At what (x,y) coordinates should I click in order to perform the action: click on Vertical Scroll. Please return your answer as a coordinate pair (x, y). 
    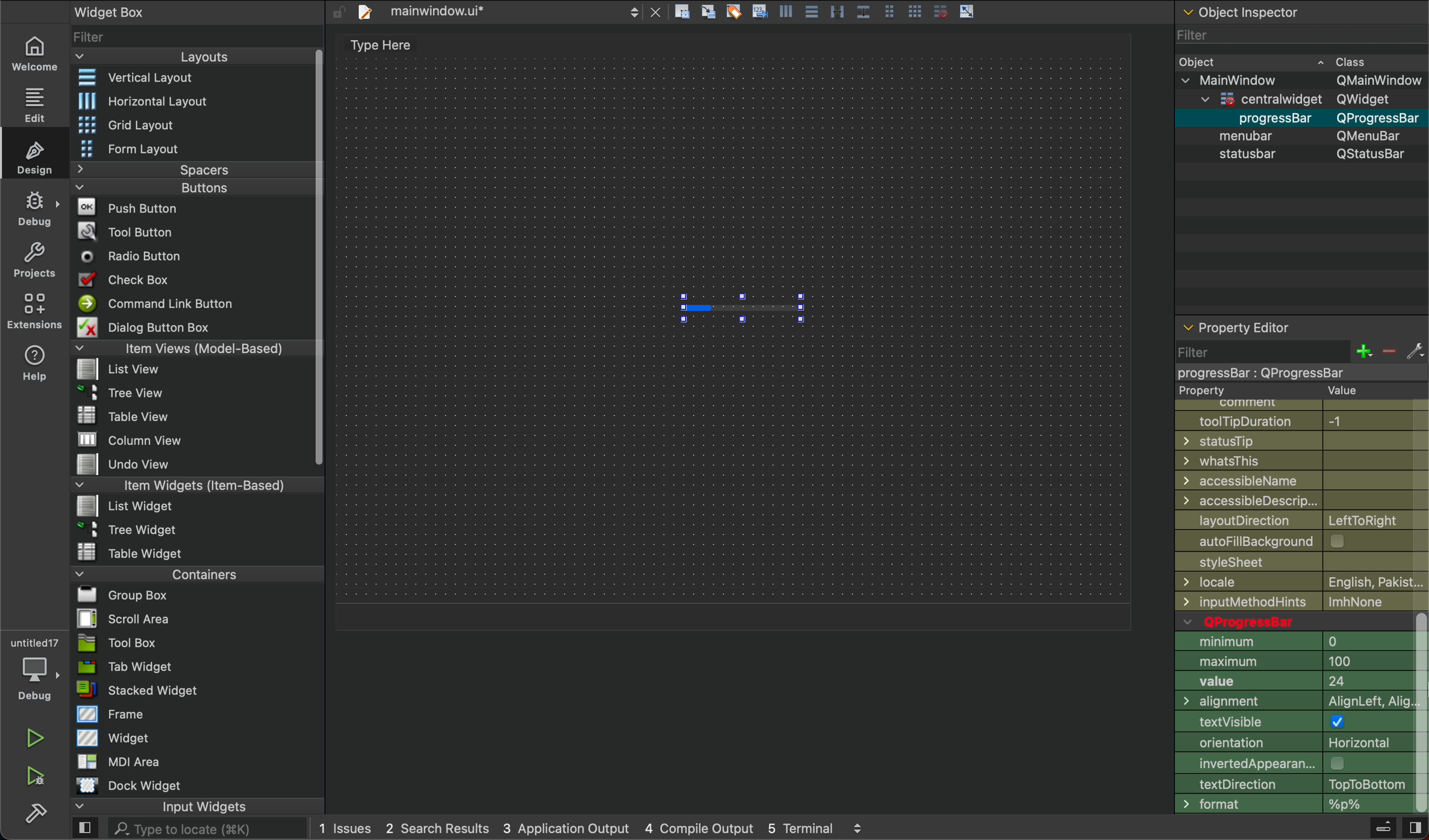
    Looking at the image, I should click on (316, 258).